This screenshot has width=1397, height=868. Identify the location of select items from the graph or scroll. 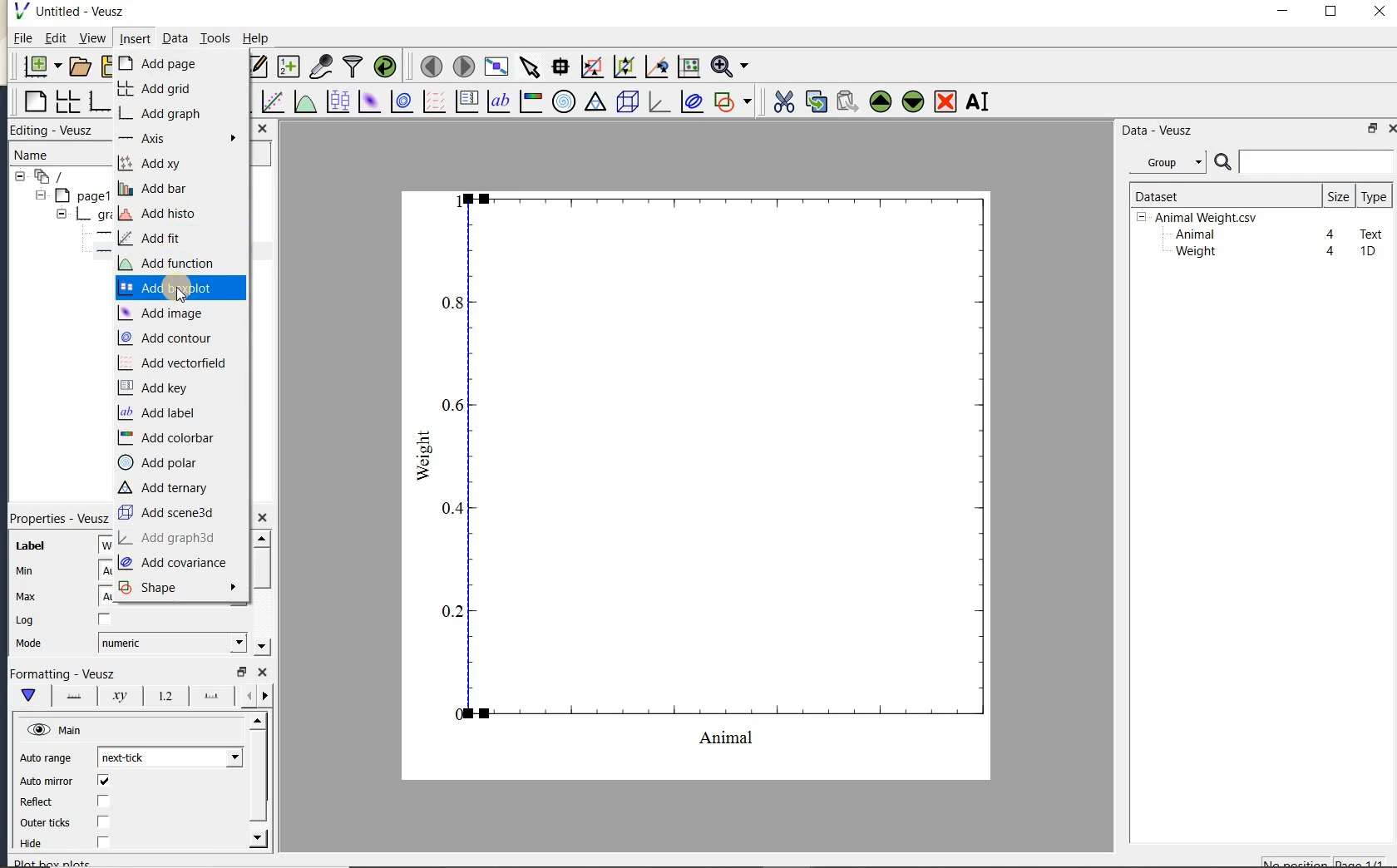
(531, 67).